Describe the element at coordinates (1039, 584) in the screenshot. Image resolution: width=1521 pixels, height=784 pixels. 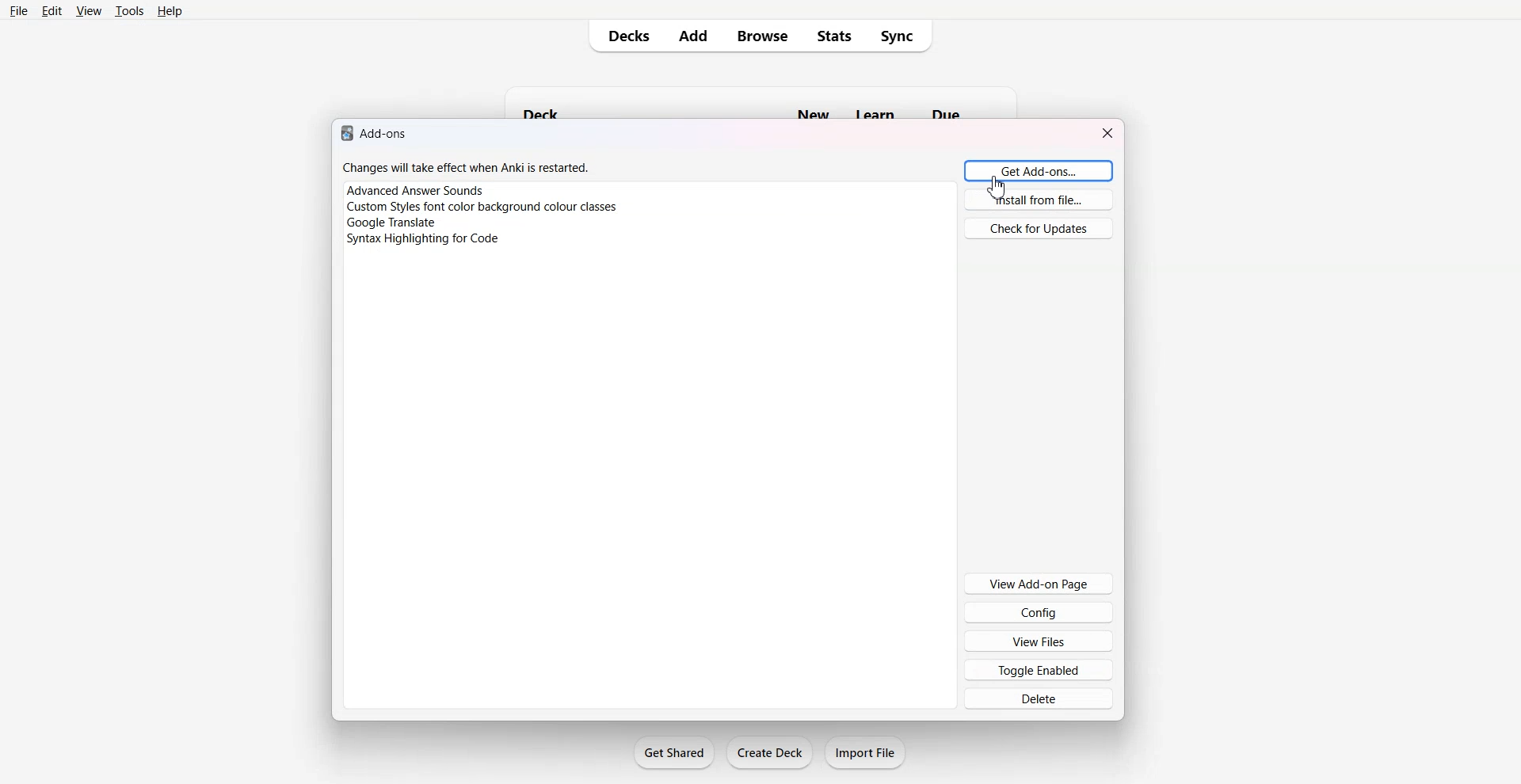
I see `View Add-on Page` at that location.